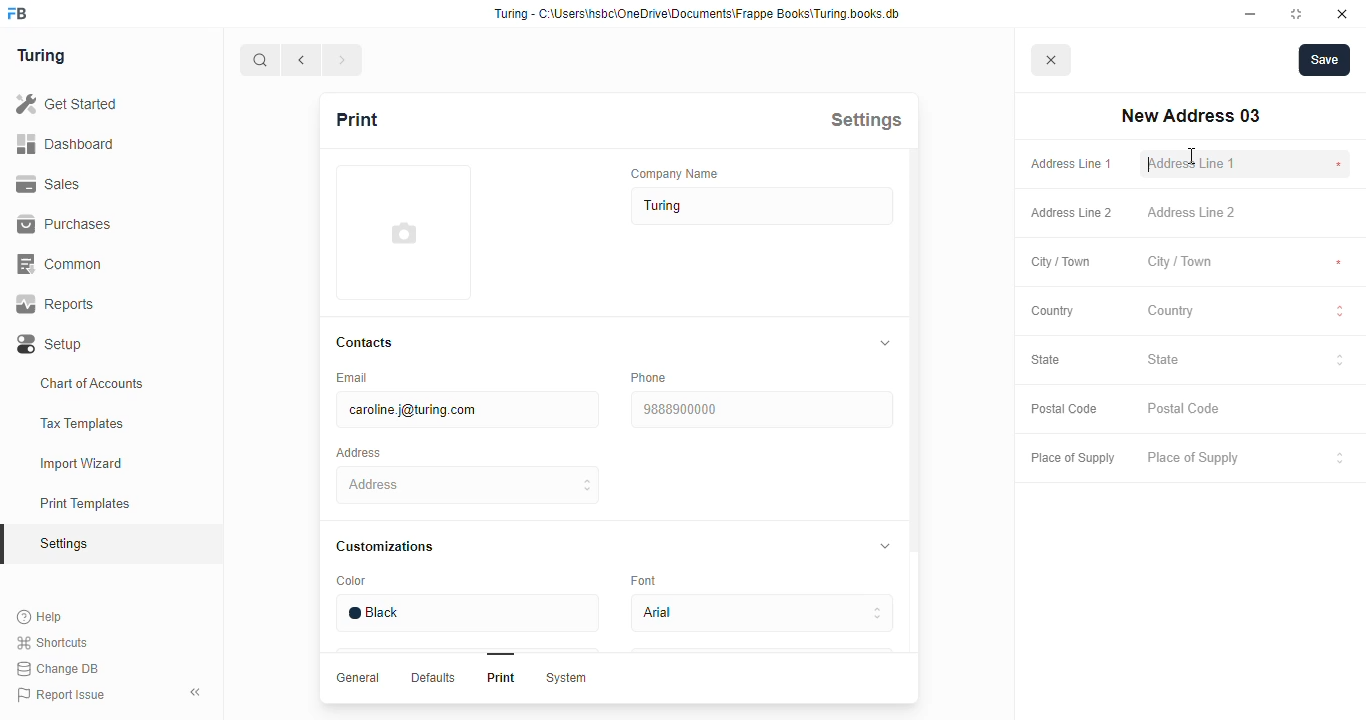 Image resolution: width=1366 pixels, height=720 pixels. What do you see at coordinates (501, 677) in the screenshot?
I see `Print` at bounding box center [501, 677].